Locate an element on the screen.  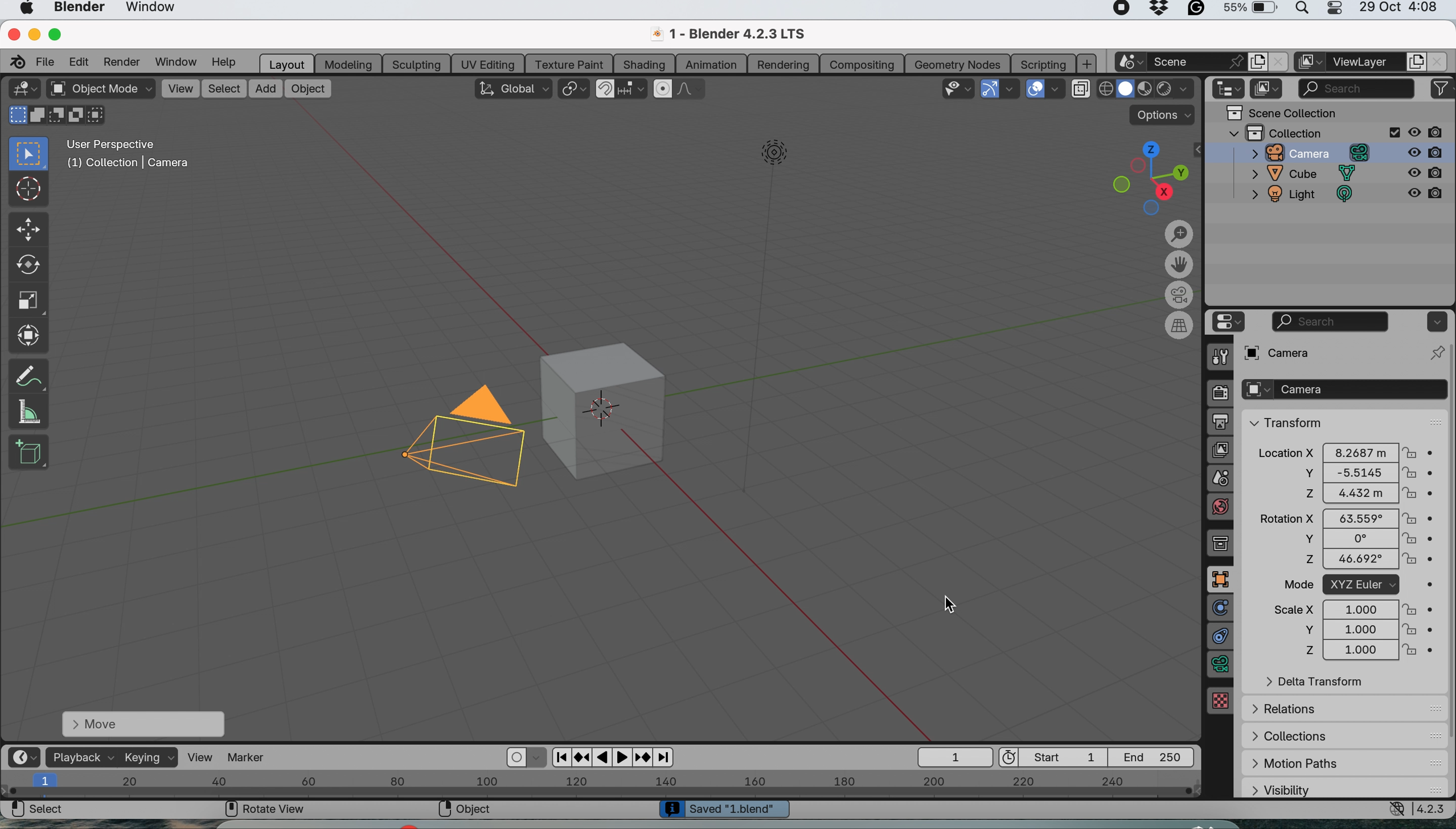
move is located at coordinates (29, 230).